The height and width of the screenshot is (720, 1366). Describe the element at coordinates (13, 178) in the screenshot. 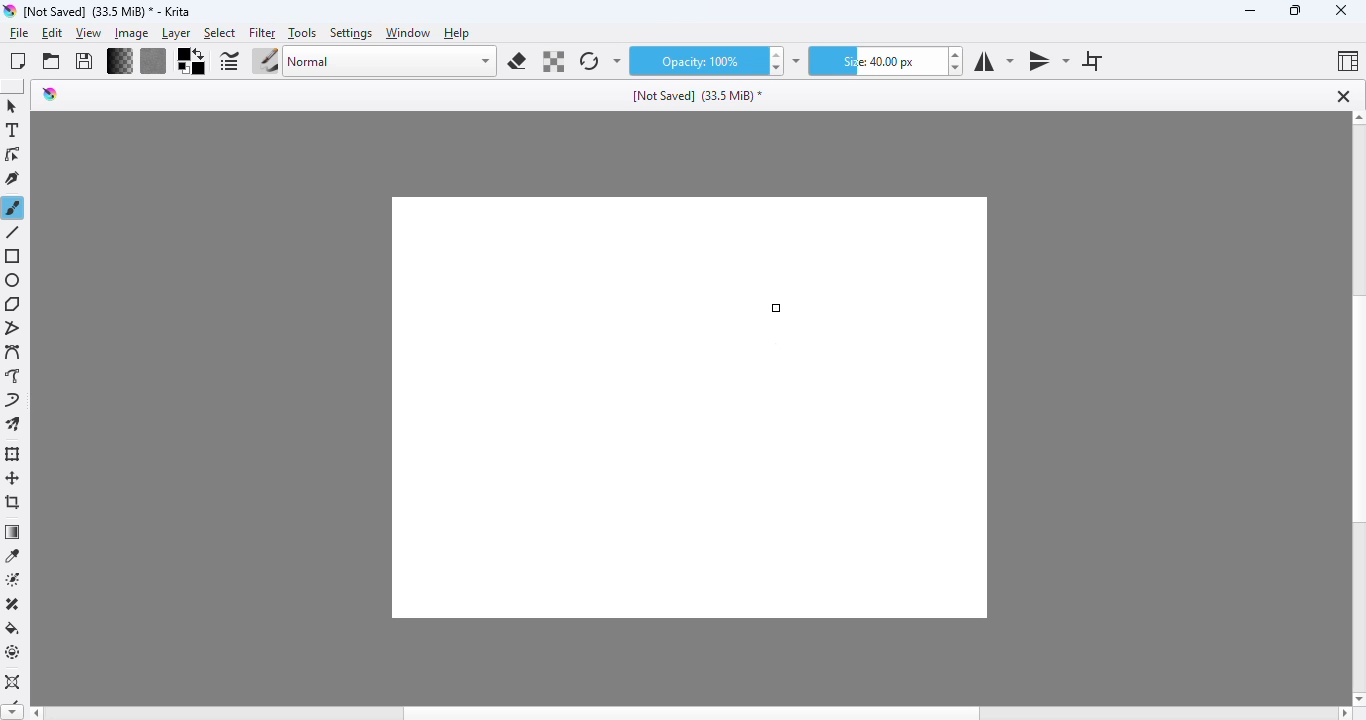

I see `calligraphy` at that location.